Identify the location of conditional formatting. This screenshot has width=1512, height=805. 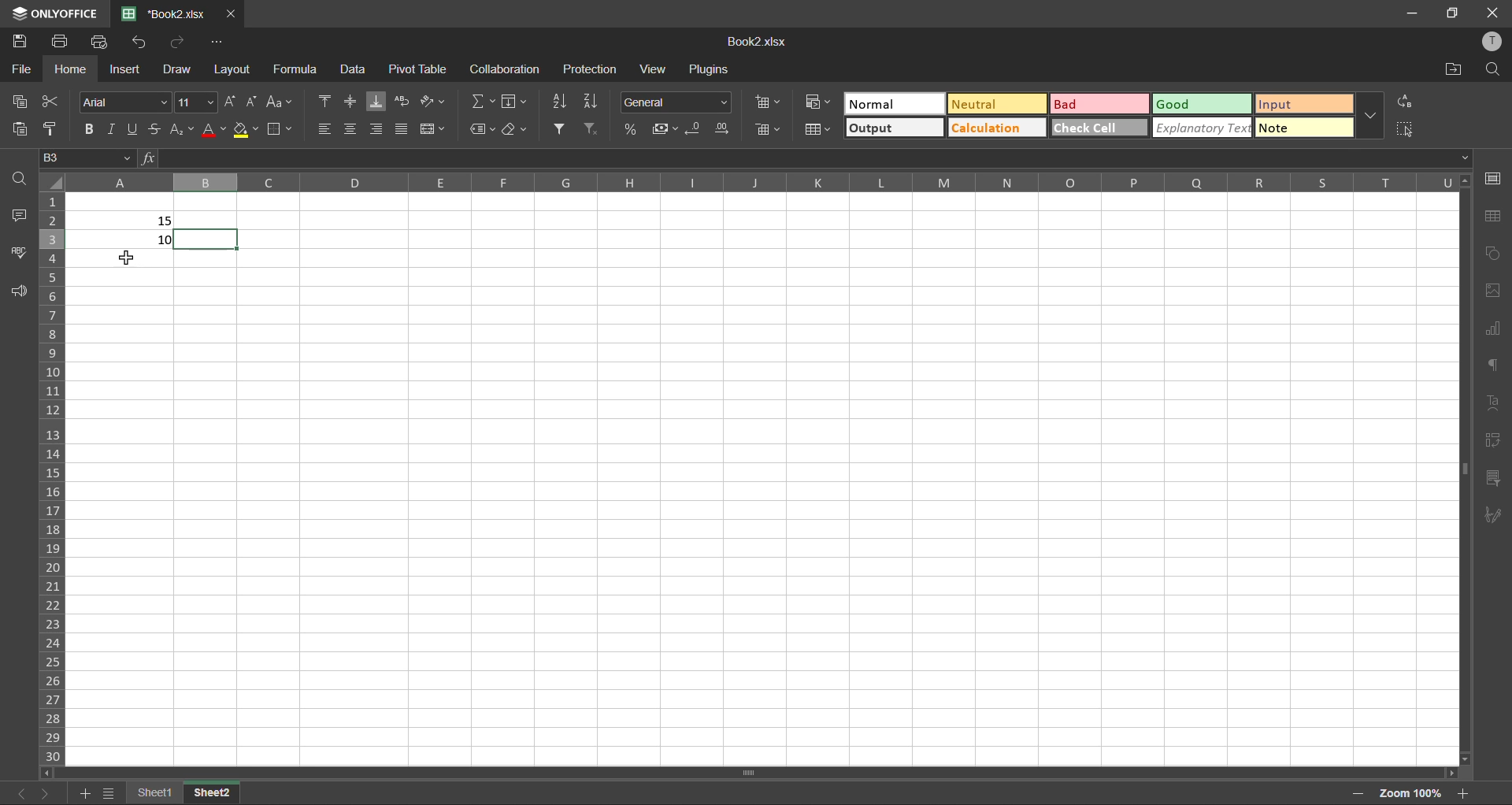
(818, 102).